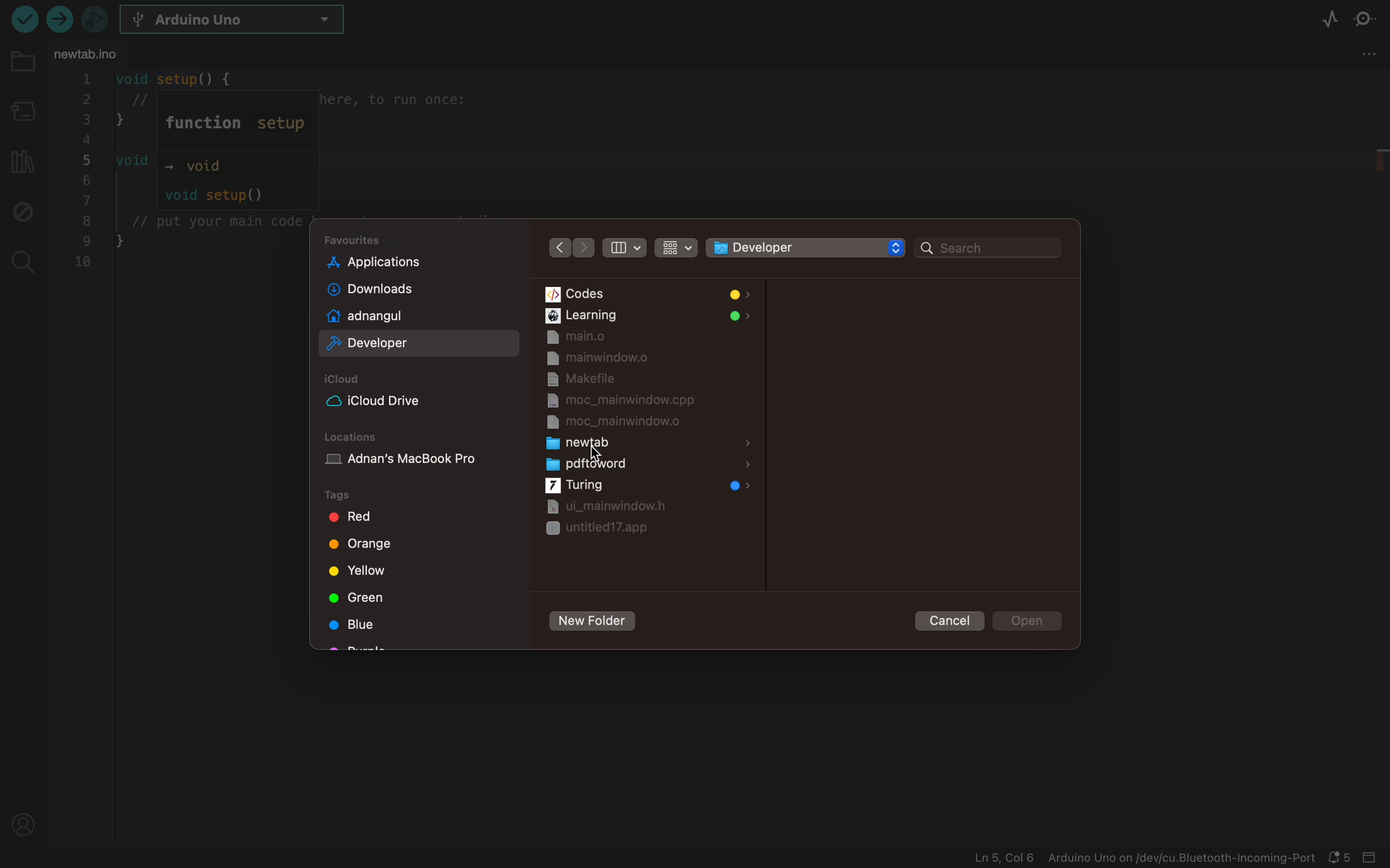 This screenshot has width=1390, height=868. What do you see at coordinates (361, 571) in the screenshot?
I see `tags` at bounding box center [361, 571].